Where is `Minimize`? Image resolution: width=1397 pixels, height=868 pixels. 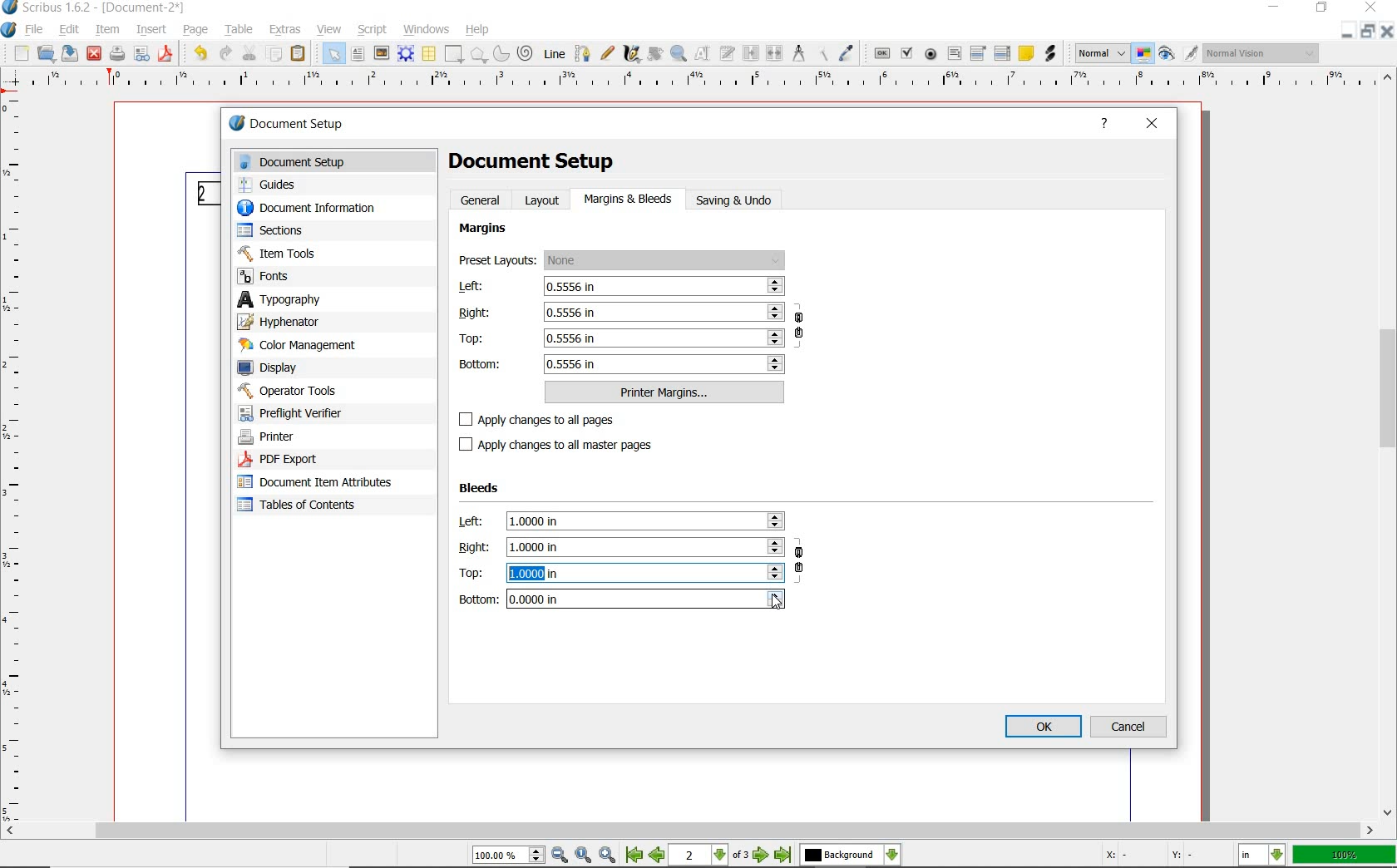 Minimize is located at coordinates (1369, 33).